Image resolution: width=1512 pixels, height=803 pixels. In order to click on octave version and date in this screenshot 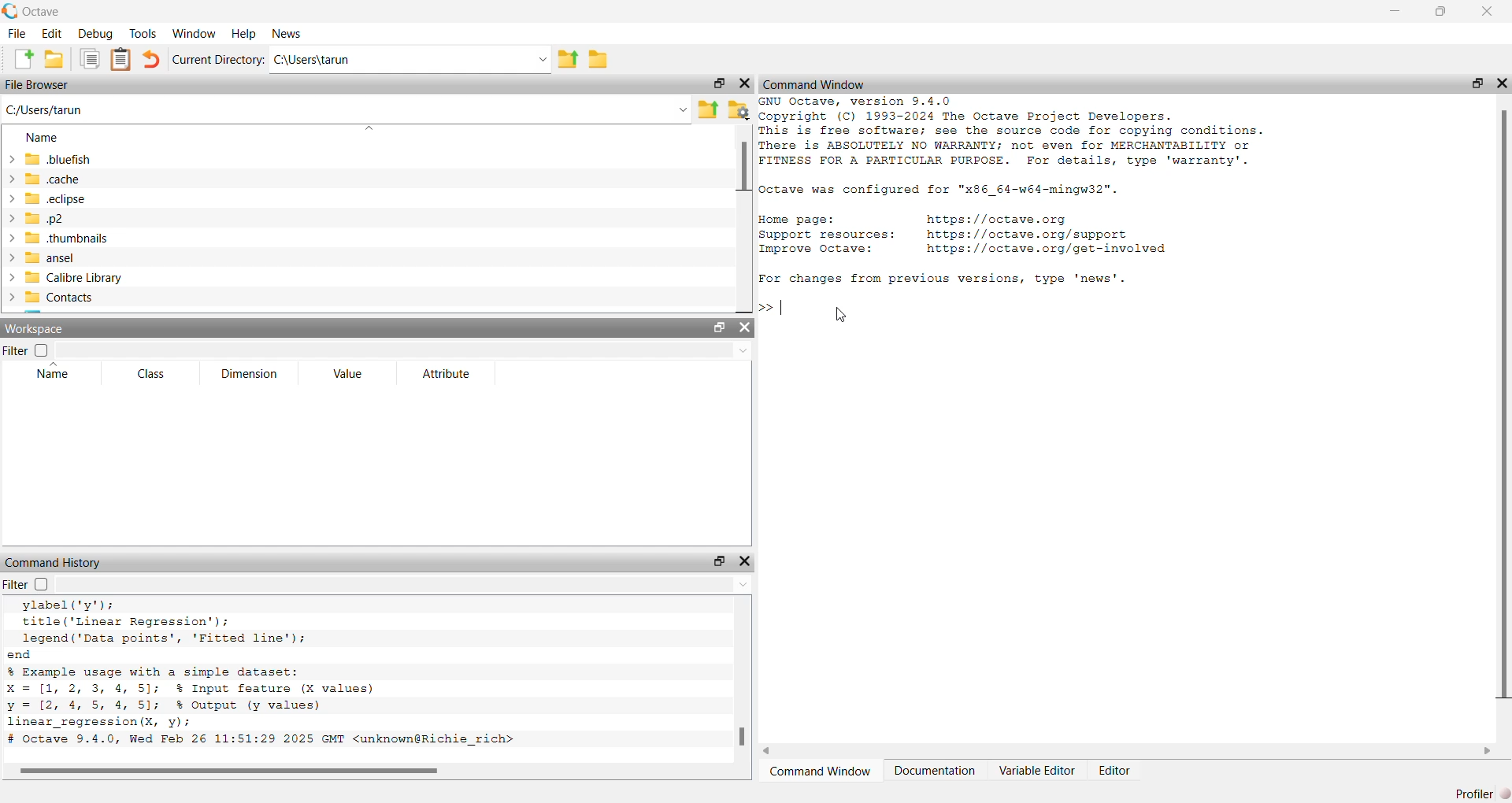, I will do `click(261, 740)`.